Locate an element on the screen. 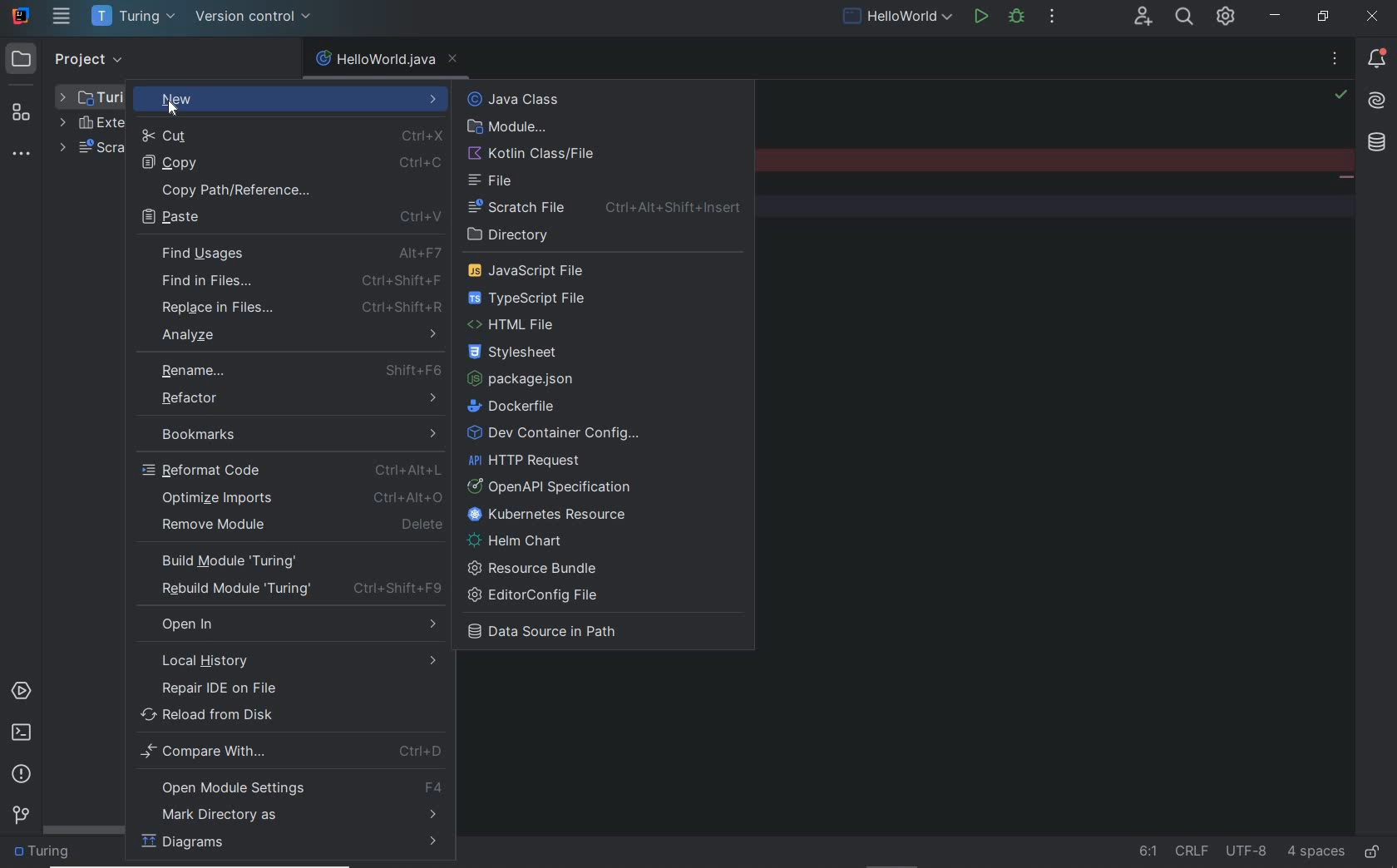 The height and width of the screenshot is (868, 1397). copy is located at coordinates (288, 162).